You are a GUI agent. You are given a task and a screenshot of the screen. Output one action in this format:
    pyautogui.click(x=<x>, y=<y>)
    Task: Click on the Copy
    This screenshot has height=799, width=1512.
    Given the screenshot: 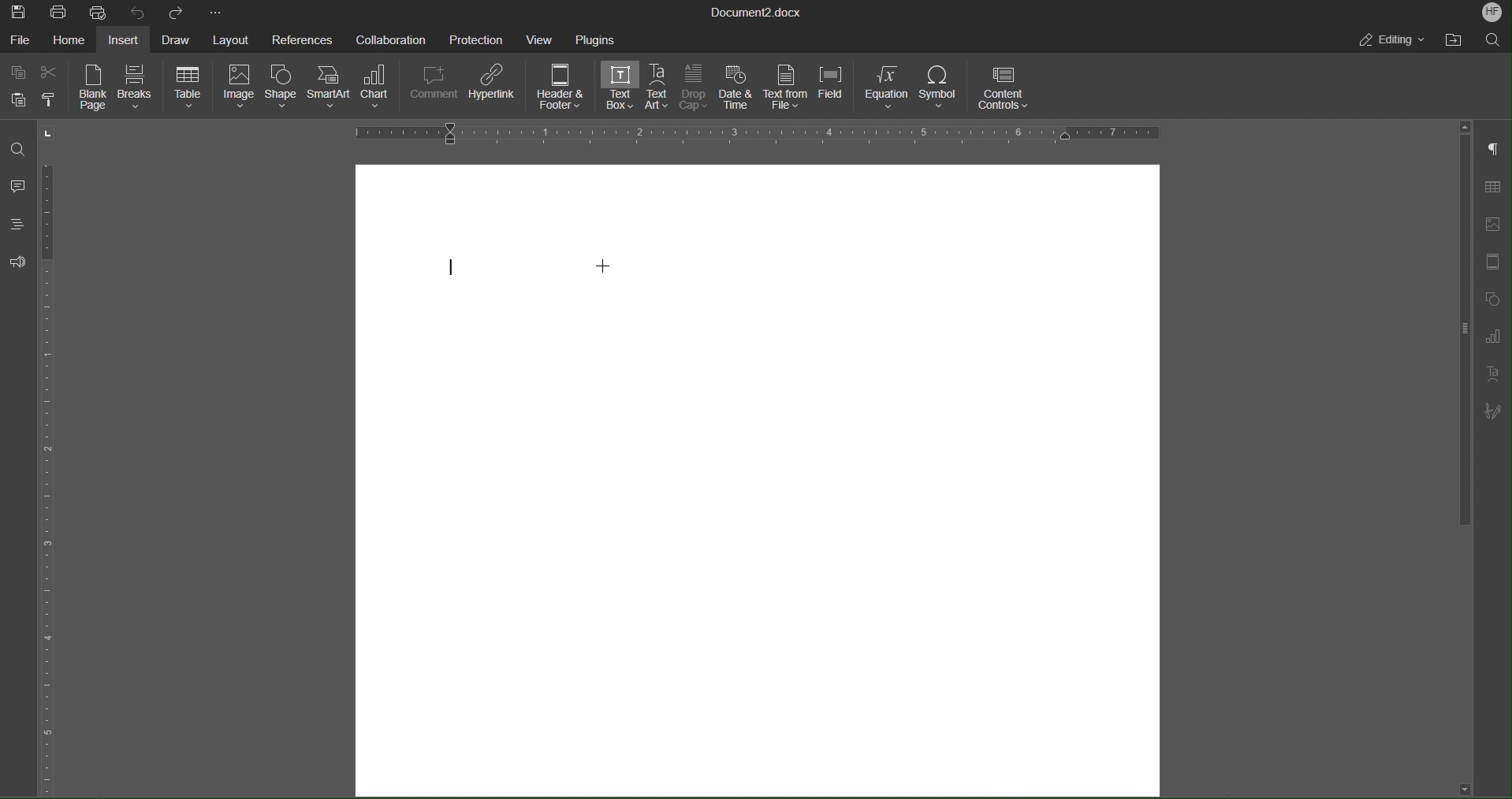 What is the action you would take?
    pyautogui.click(x=17, y=70)
    